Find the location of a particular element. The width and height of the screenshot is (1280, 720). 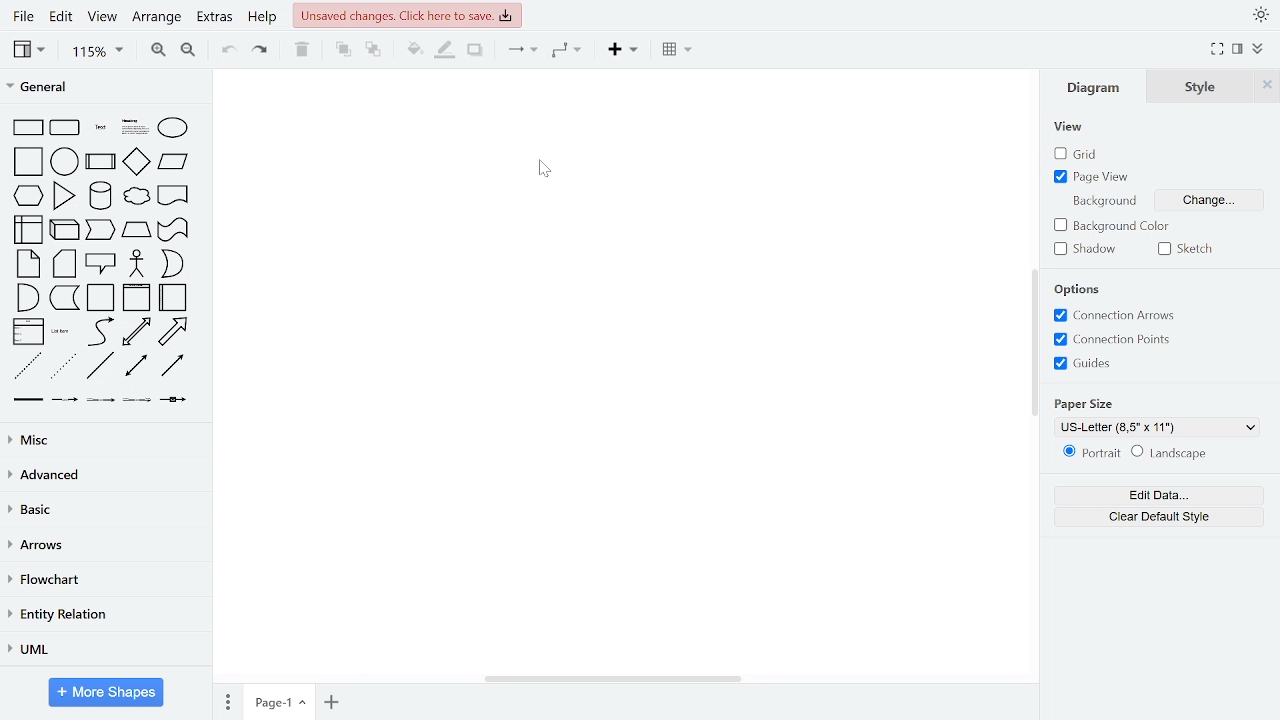

connector is located at coordinates (522, 49).